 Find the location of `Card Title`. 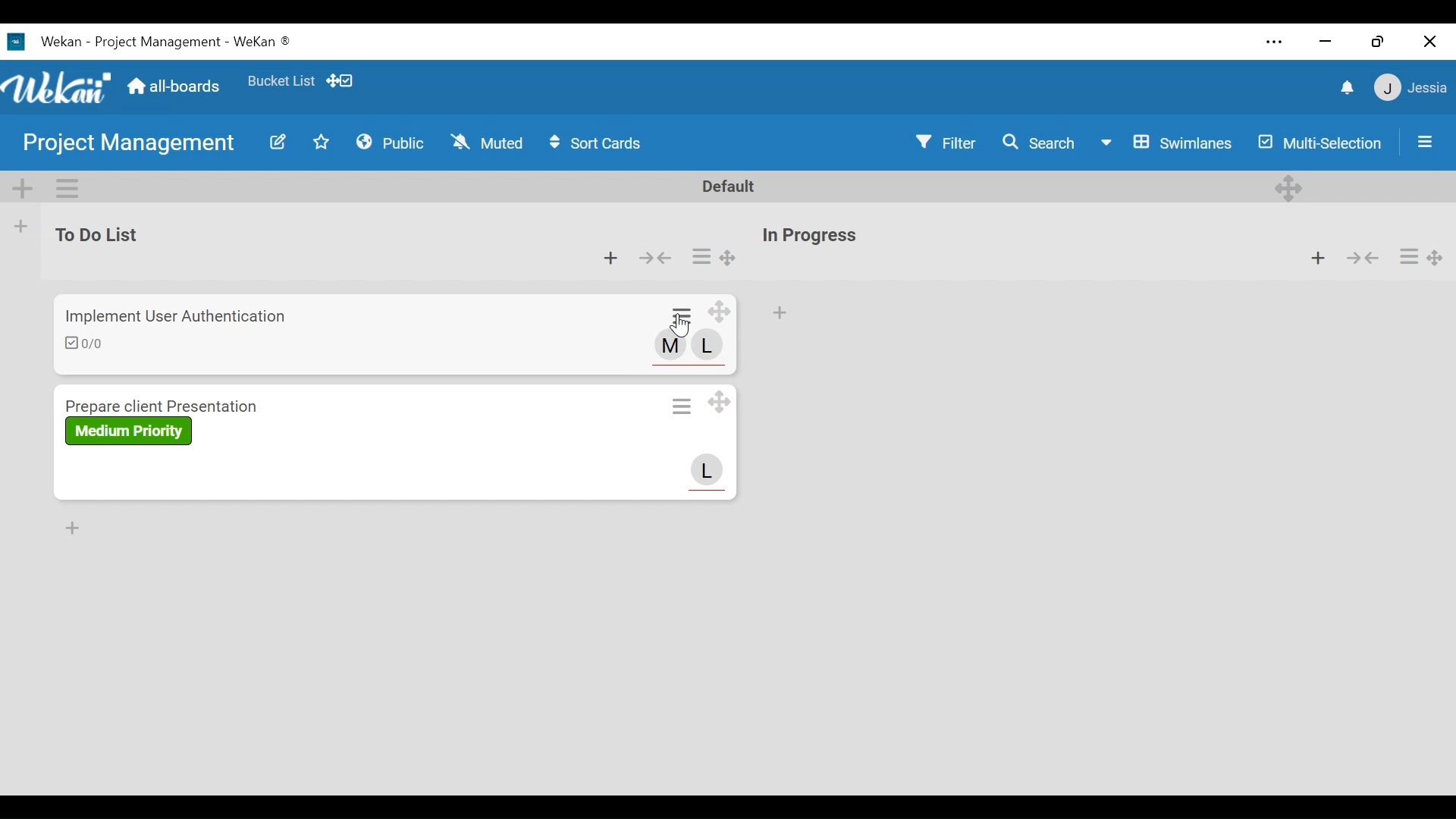

Card Title is located at coordinates (177, 315).